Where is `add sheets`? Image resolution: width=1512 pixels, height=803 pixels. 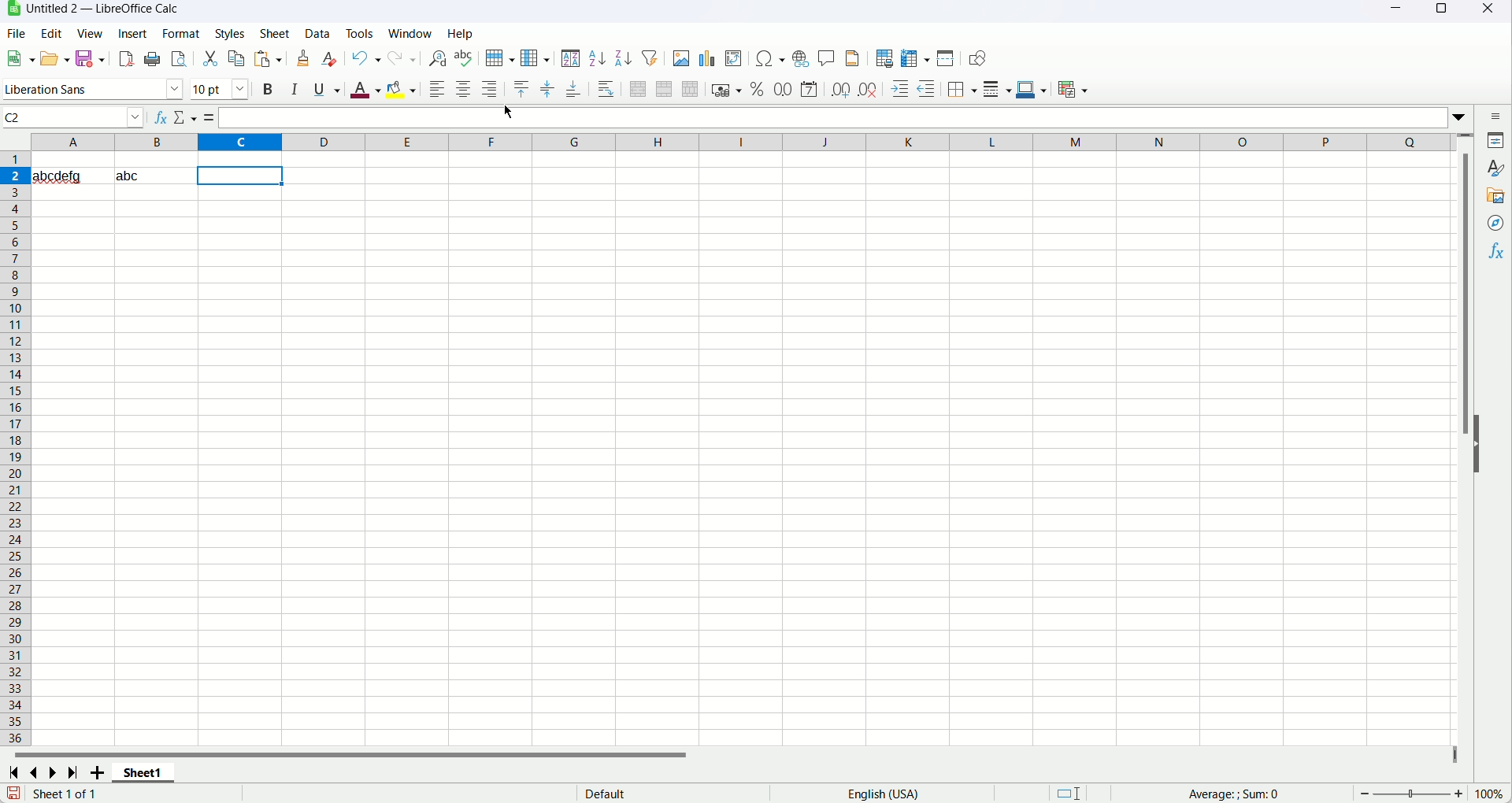 add sheets is located at coordinates (95, 771).